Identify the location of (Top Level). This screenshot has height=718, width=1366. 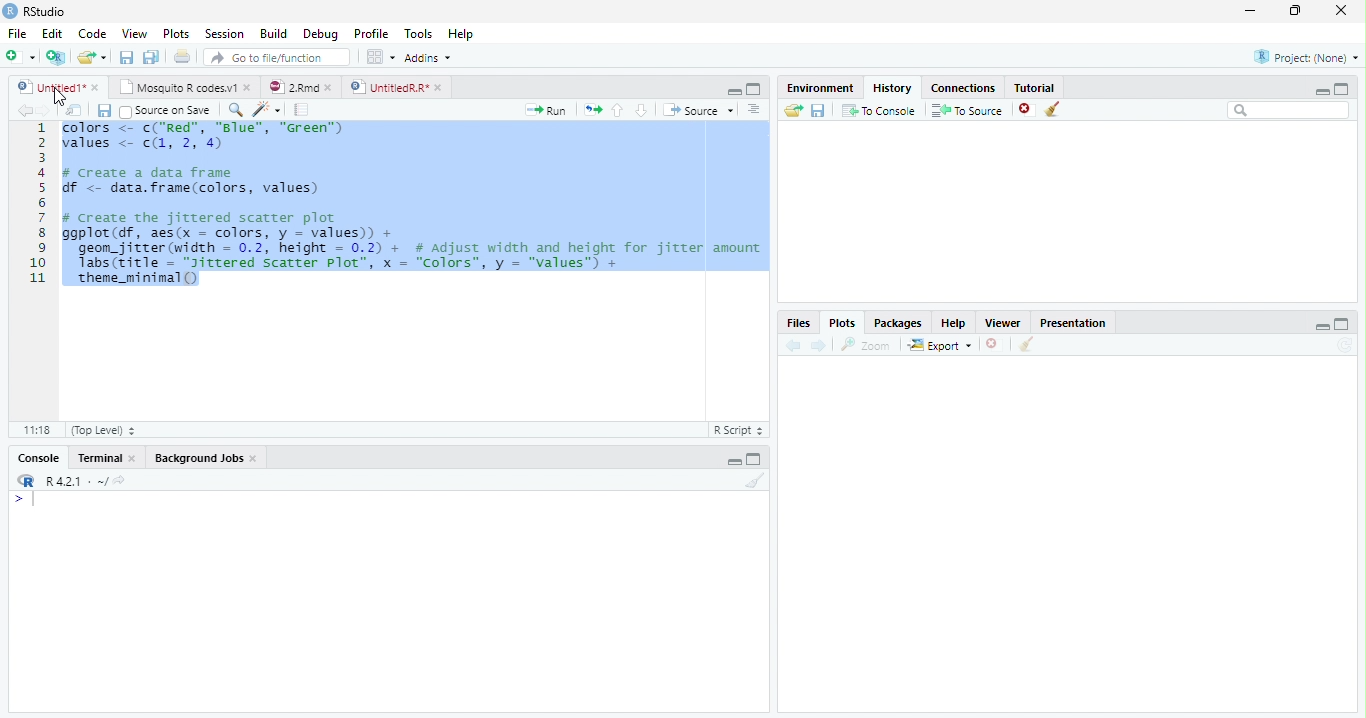
(102, 430).